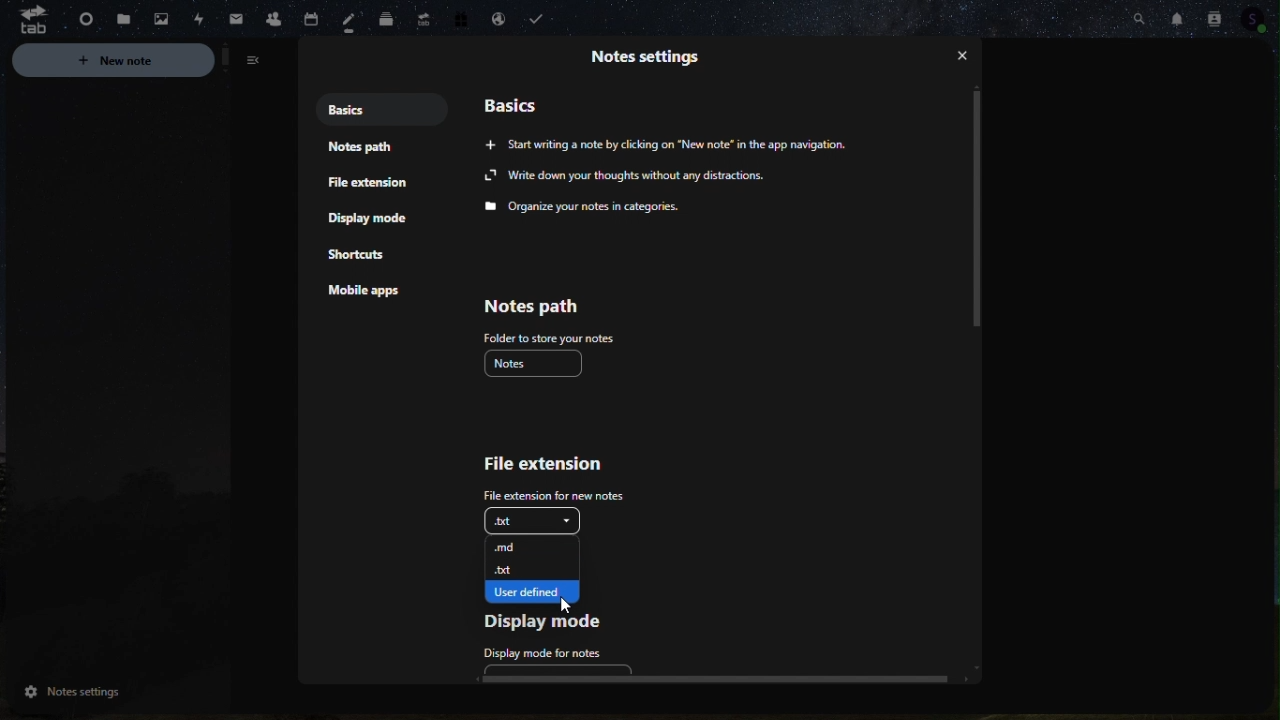 The width and height of the screenshot is (1280, 720). Describe the element at coordinates (199, 17) in the screenshot. I see `Activity` at that location.